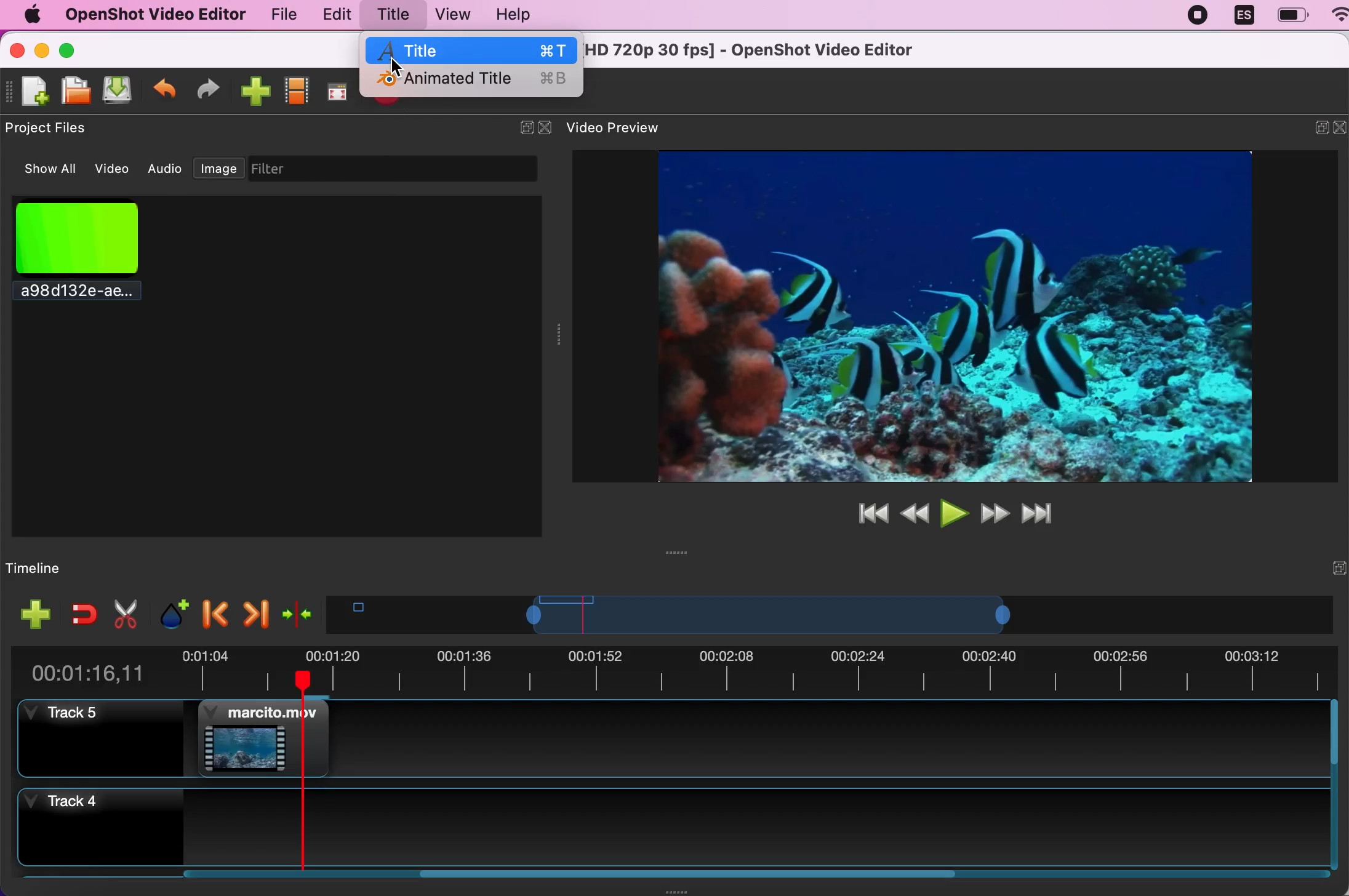 This screenshot has height=896, width=1349. What do you see at coordinates (276, 14) in the screenshot?
I see `file` at bounding box center [276, 14].